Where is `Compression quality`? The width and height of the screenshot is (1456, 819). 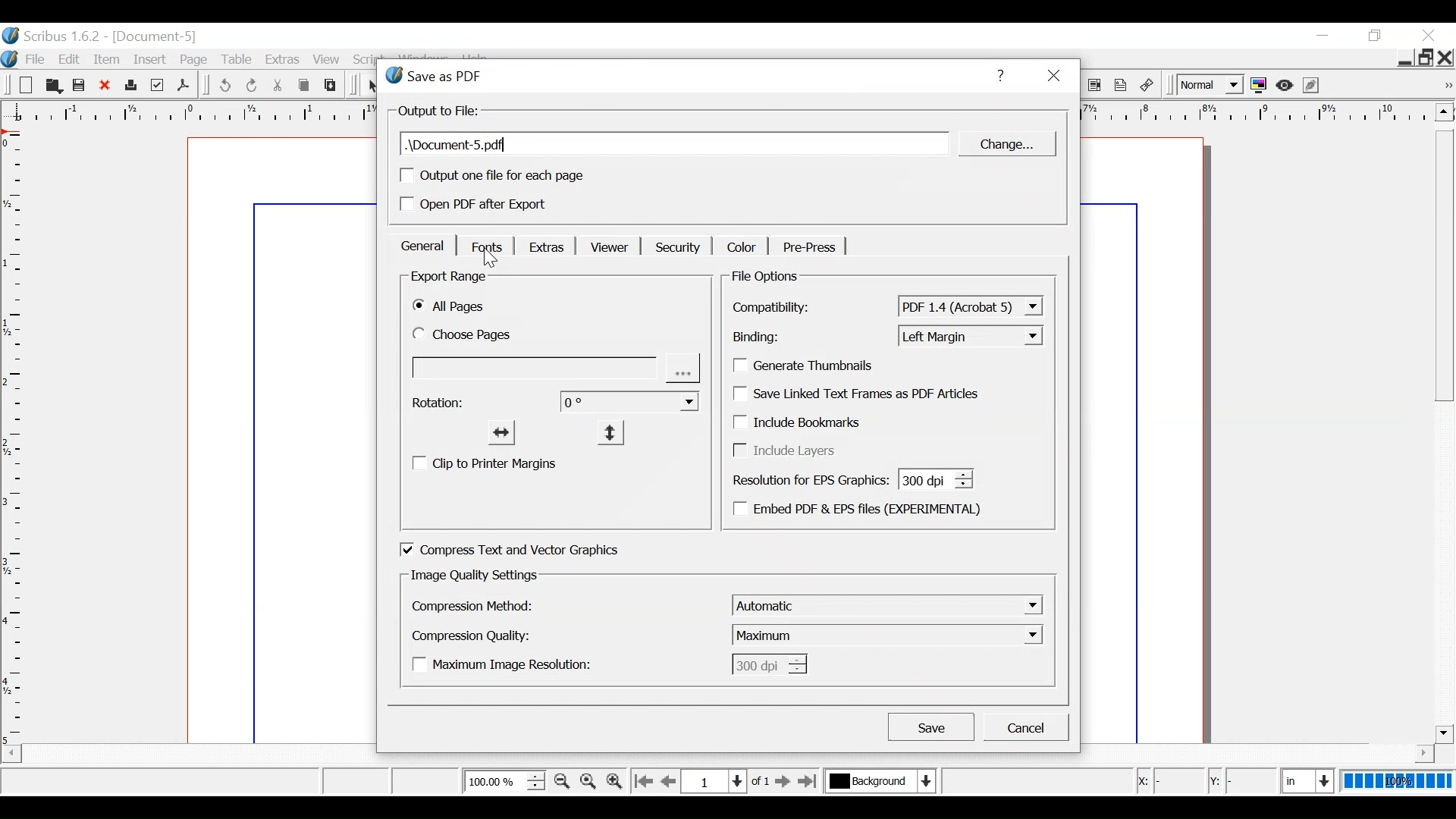 Compression quality is located at coordinates (472, 635).